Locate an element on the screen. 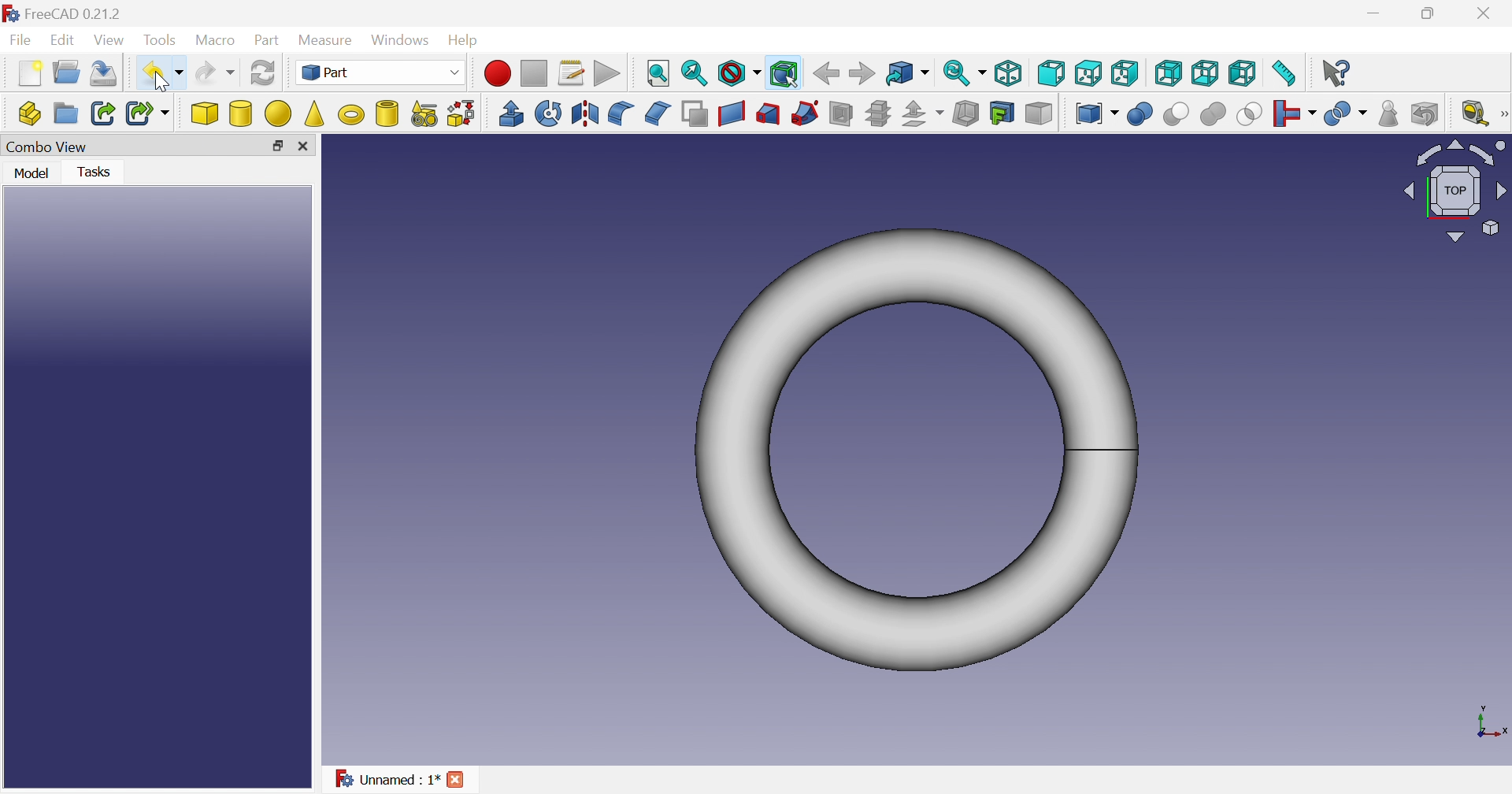  Cone is located at coordinates (315, 115).